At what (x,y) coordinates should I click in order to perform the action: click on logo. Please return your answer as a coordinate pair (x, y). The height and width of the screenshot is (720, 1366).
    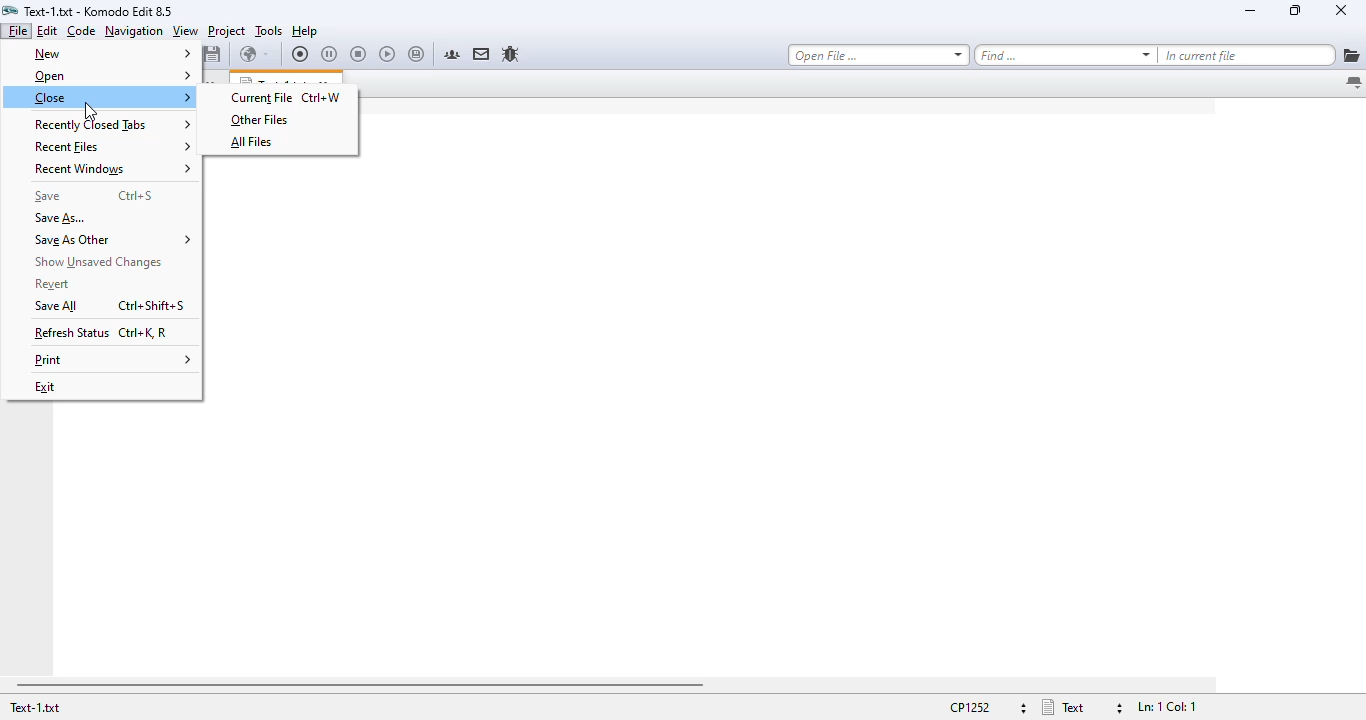
    Looking at the image, I should click on (10, 10).